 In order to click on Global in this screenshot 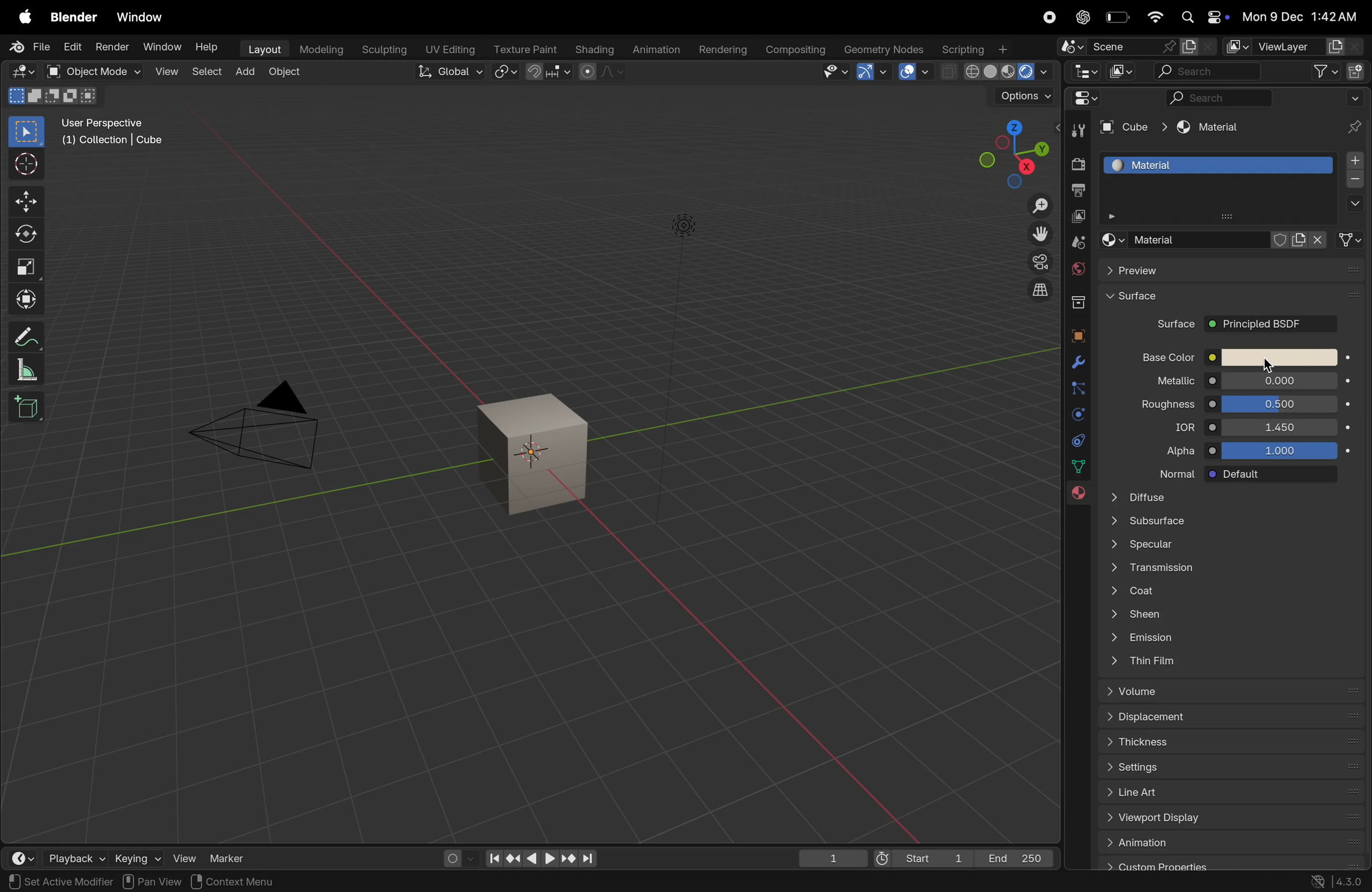, I will do `click(451, 71)`.